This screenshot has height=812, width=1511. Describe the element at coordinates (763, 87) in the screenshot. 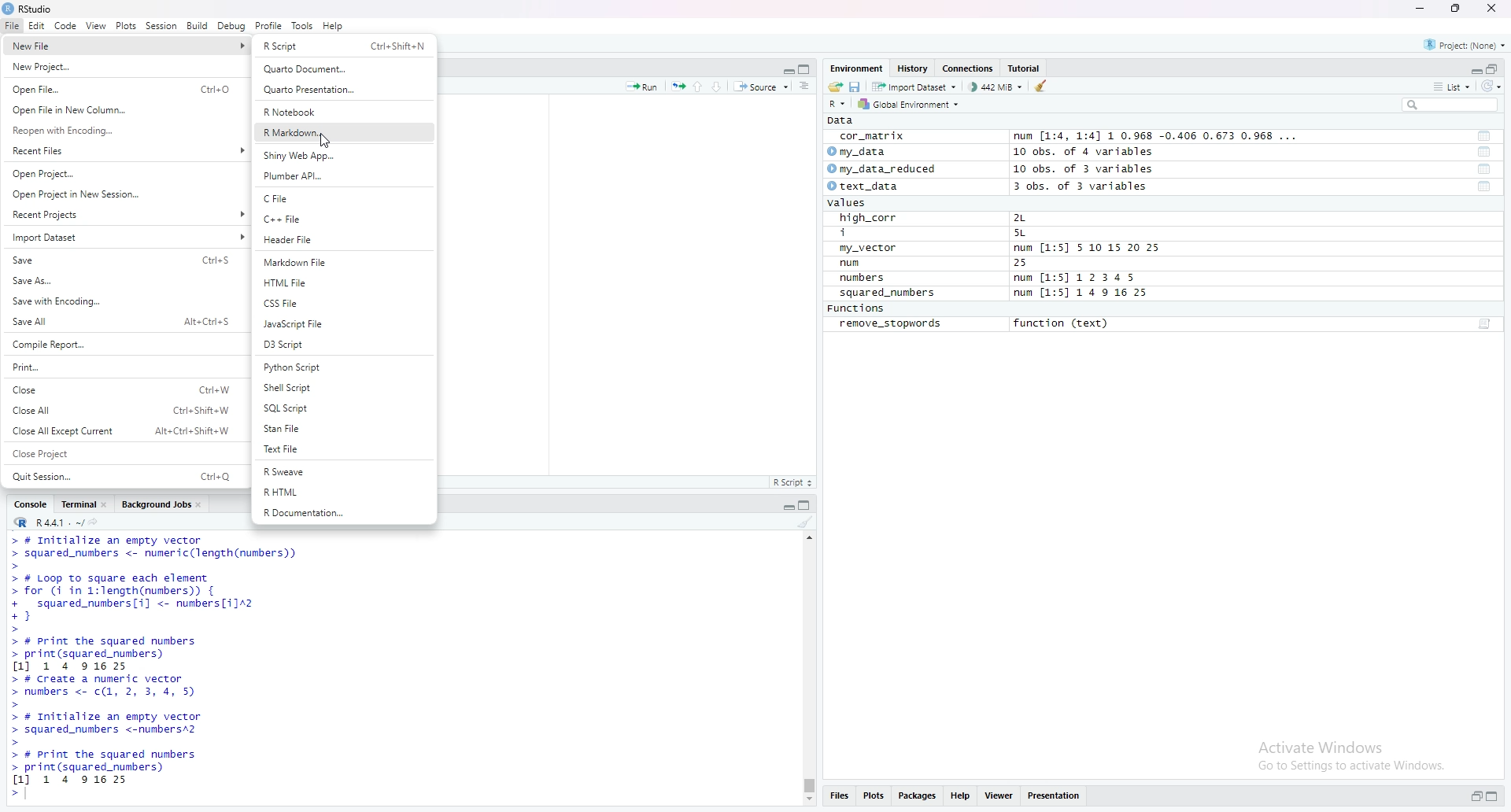

I see `Source` at that location.